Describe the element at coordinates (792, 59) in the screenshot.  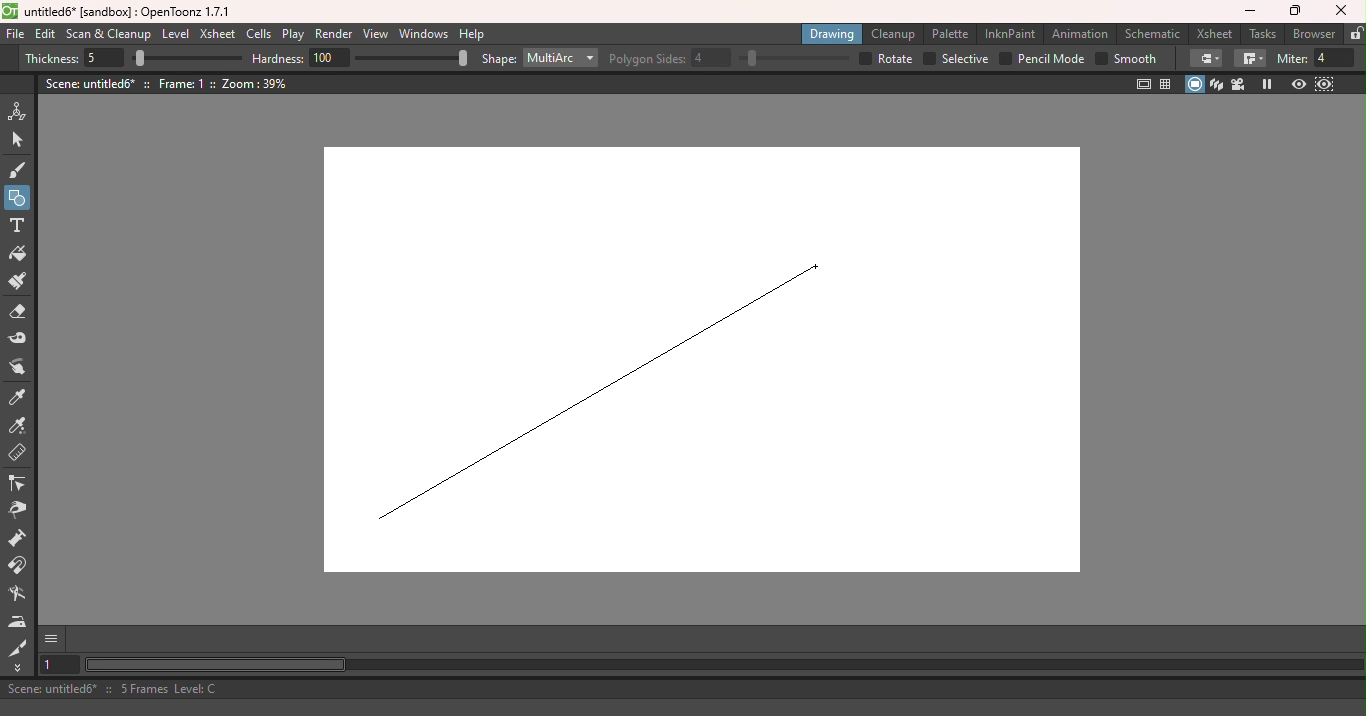
I see `Polygon sides bar` at that location.